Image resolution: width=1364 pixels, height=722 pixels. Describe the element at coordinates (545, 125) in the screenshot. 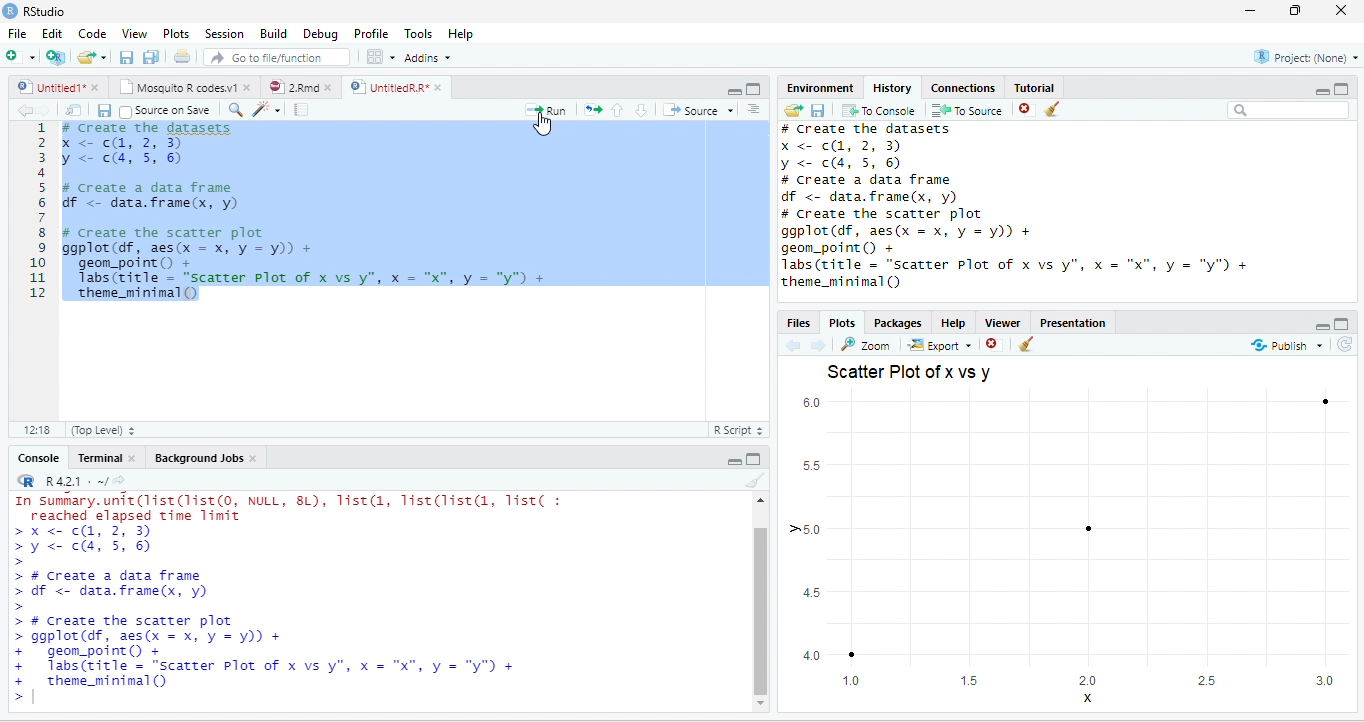

I see `cursor` at that location.